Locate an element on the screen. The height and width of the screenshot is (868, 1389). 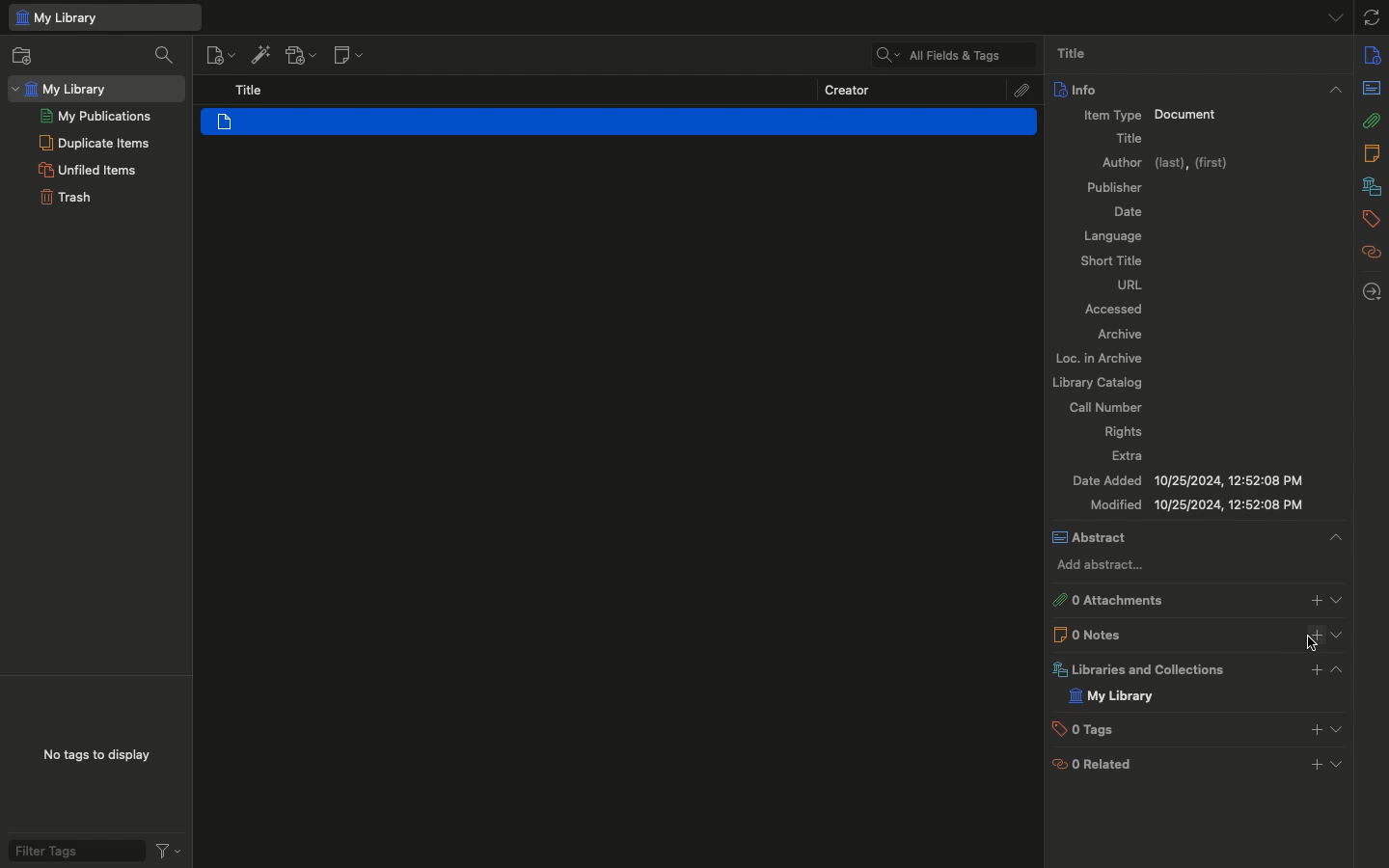
Author is located at coordinates (1170, 164).